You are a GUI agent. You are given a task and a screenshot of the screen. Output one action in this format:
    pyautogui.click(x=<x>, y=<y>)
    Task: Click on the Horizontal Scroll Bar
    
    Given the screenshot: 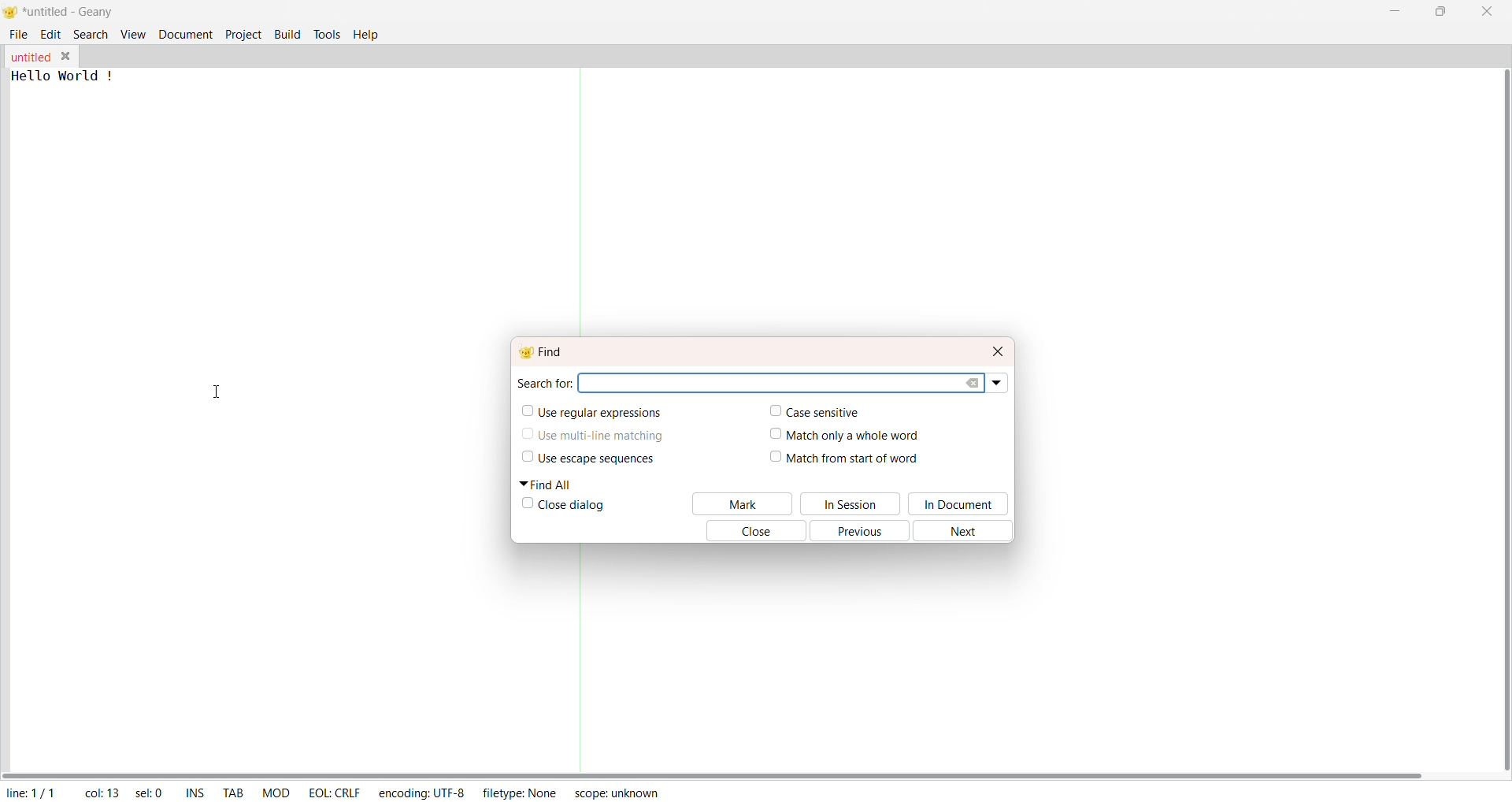 What is the action you would take?
    pyautogui.click(x=724, y=770)
    